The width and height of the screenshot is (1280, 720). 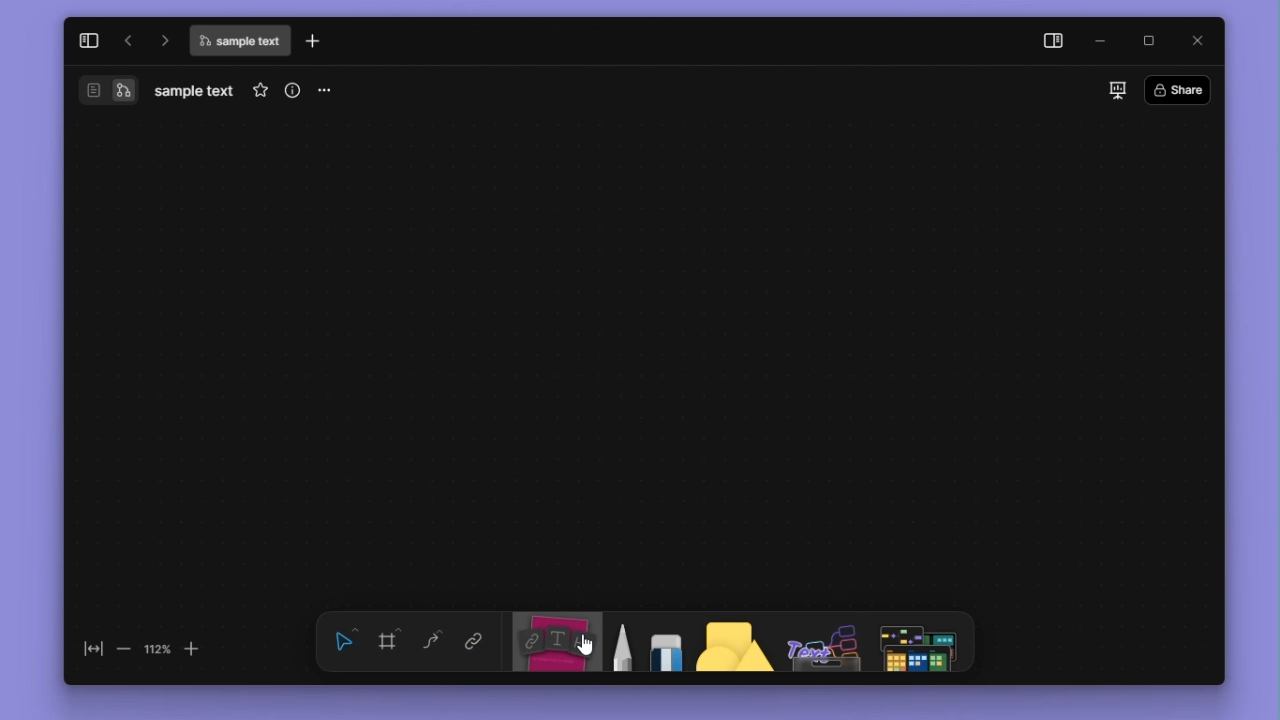 I want to click on file name, so click(x=239, y=41).